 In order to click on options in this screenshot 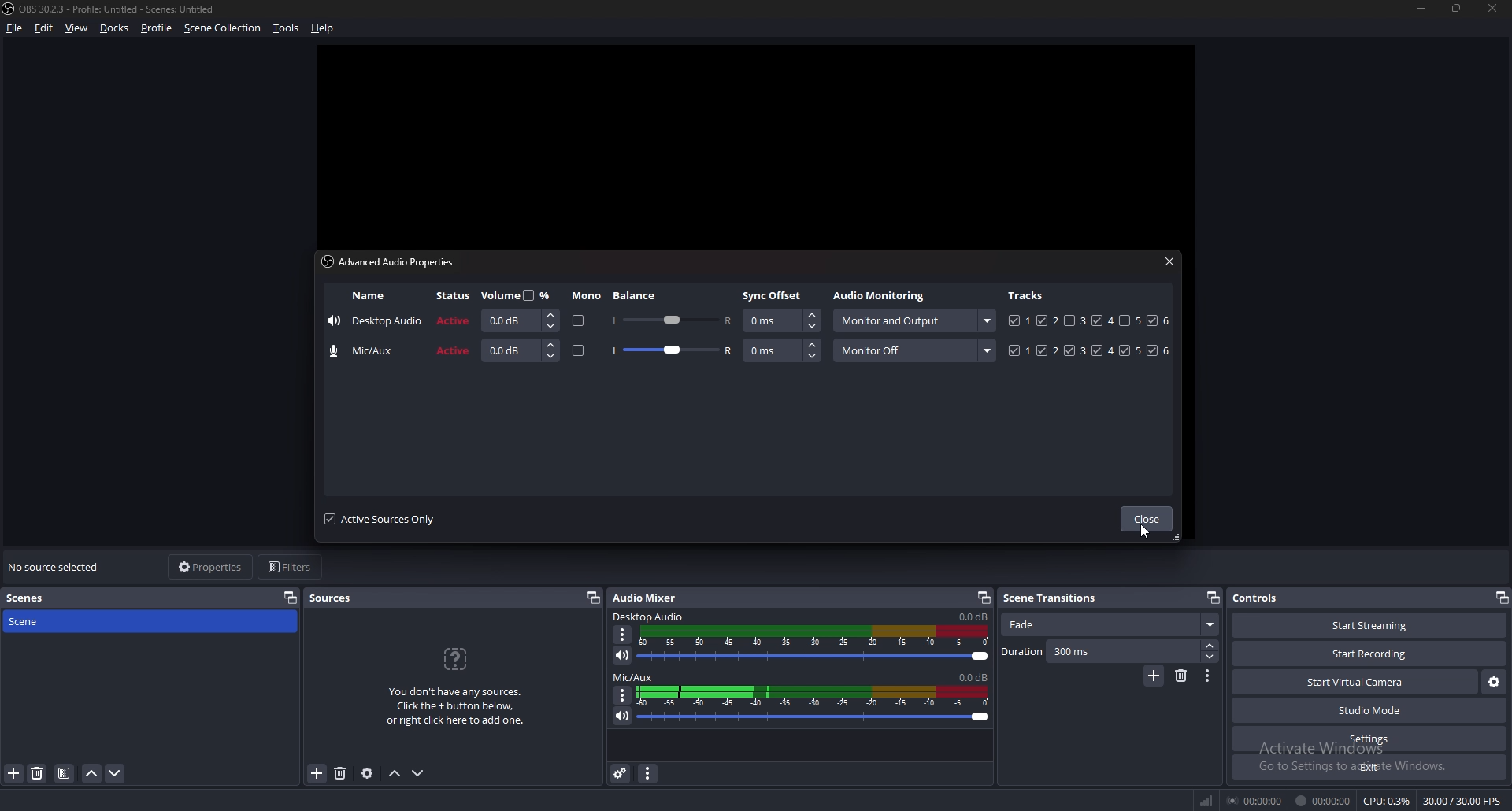, I will do `click(1209, 676)`.